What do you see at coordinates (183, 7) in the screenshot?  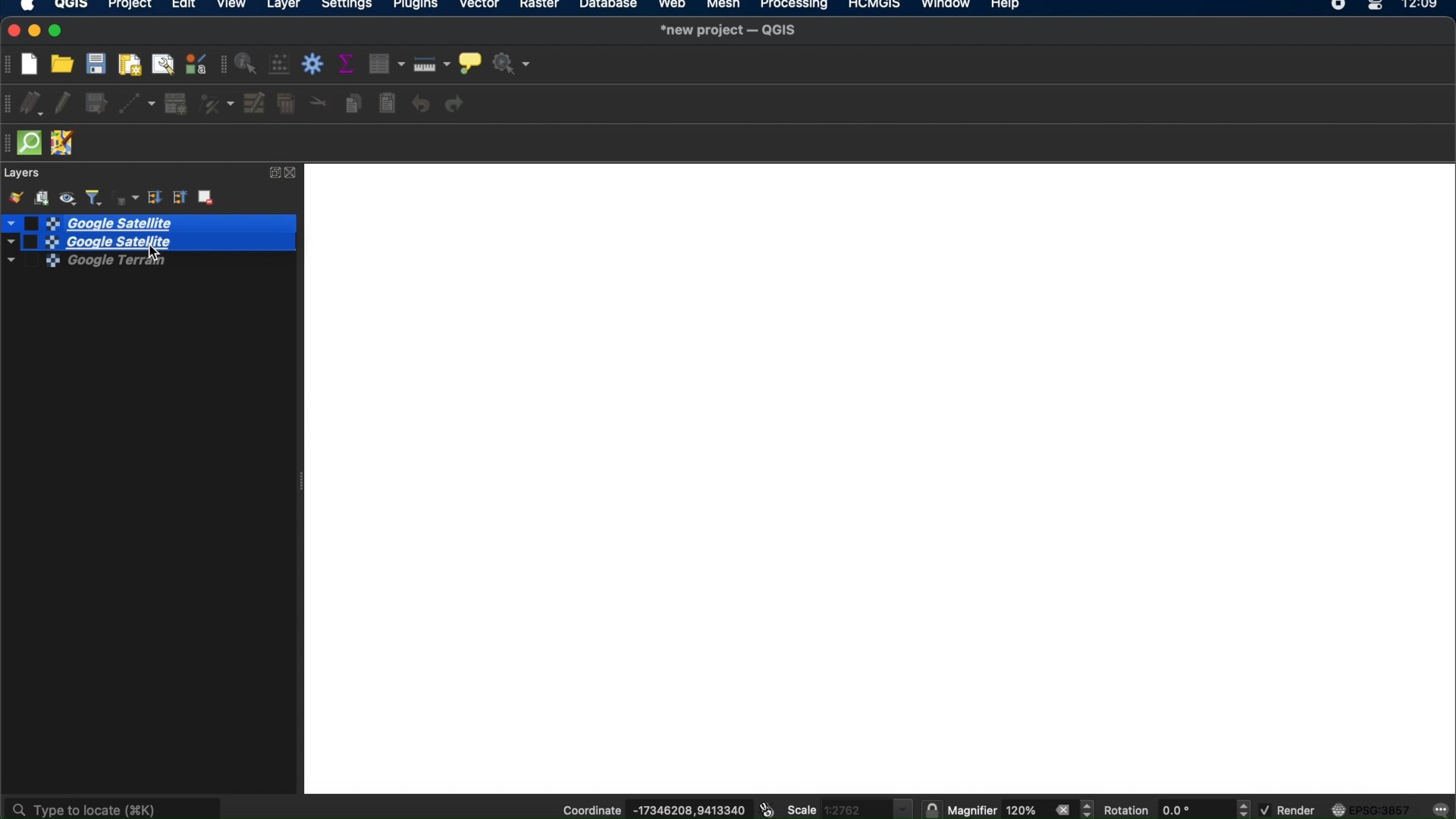 I see `edit` at bounding box center [183, 7].